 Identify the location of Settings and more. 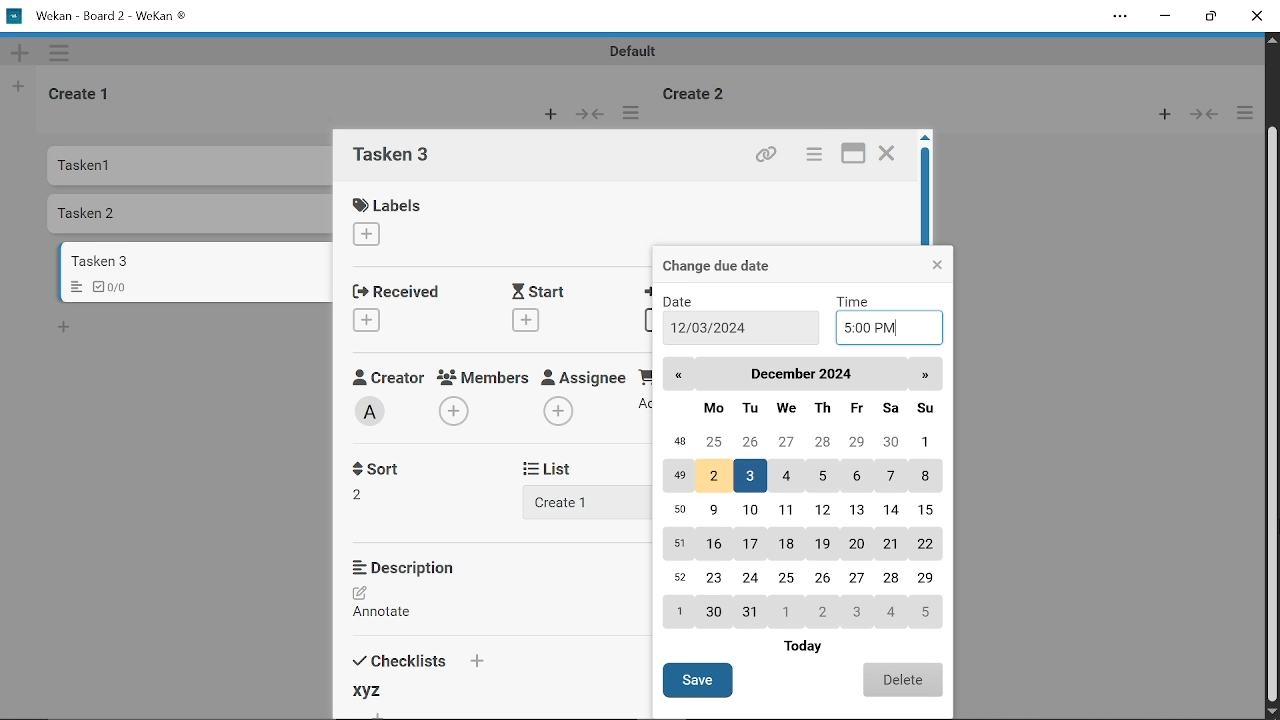
(1120, 16).